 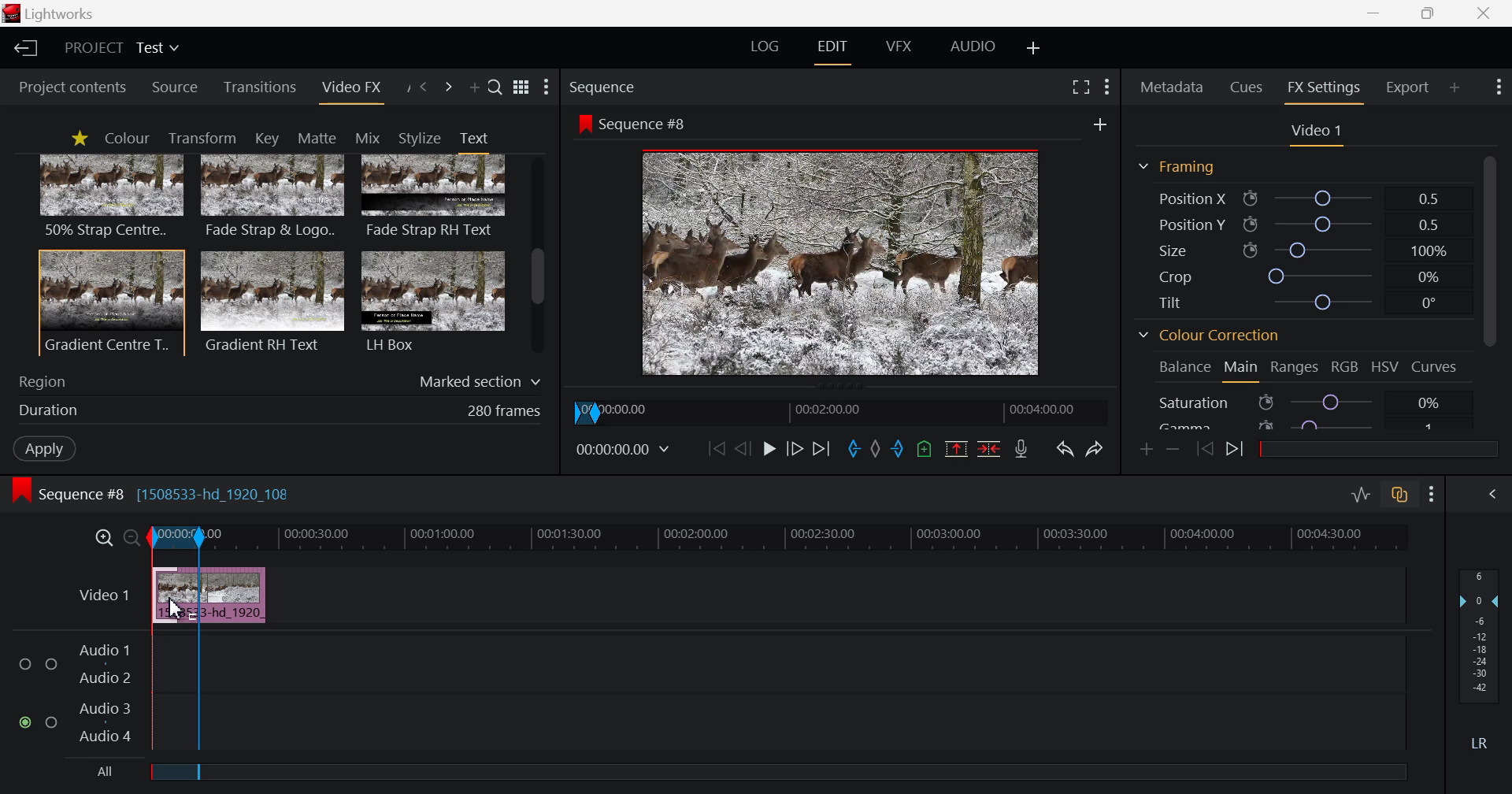 What do you see at coordinates (1317, 132) in the screenshot?
I see `Video Settings` at bounding box center [1317, 132].